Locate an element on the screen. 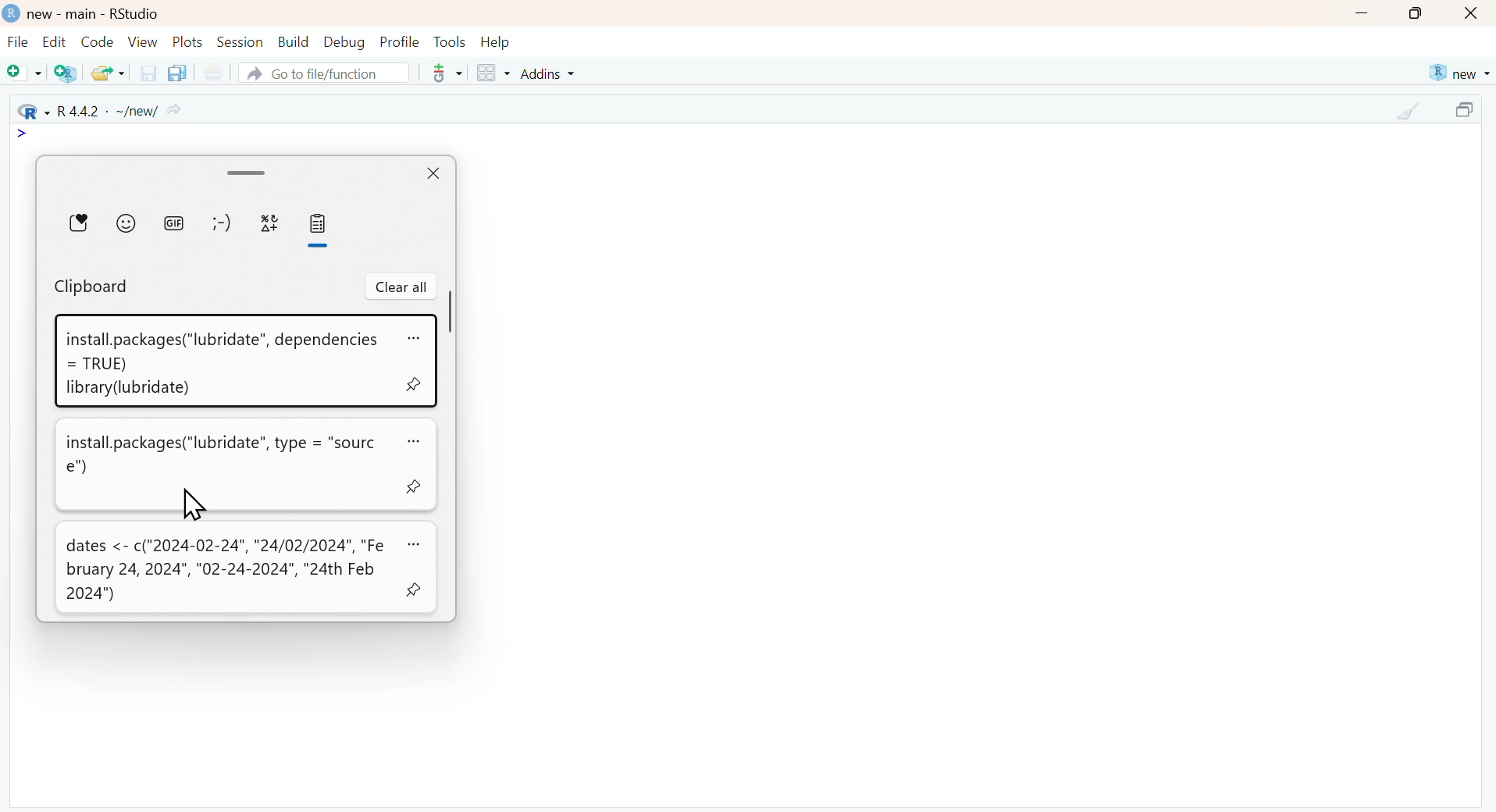 The width and height of the screenshot is (1496, 812). Favorite is located at coordinates (79, 222).